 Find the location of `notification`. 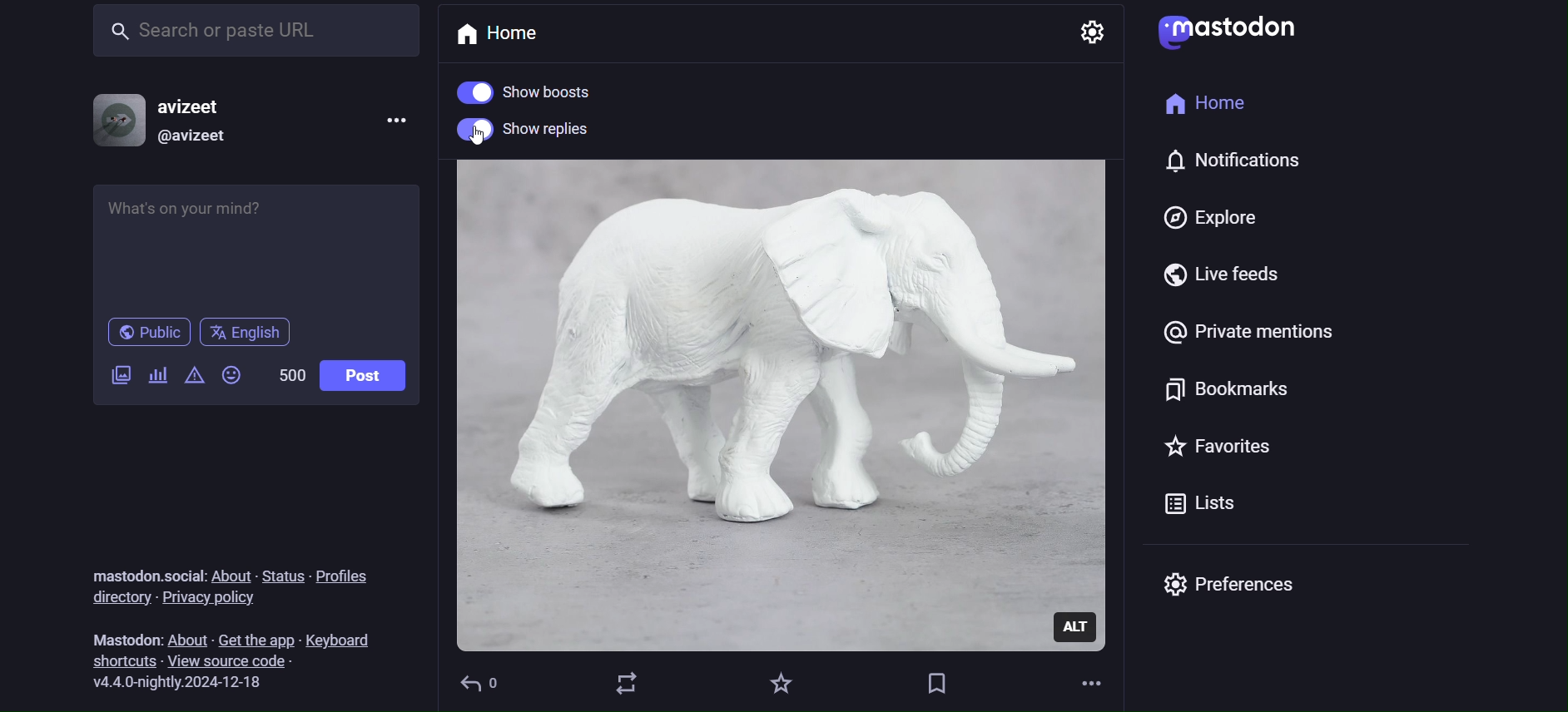

notification is located at coordinates (1248, 164).